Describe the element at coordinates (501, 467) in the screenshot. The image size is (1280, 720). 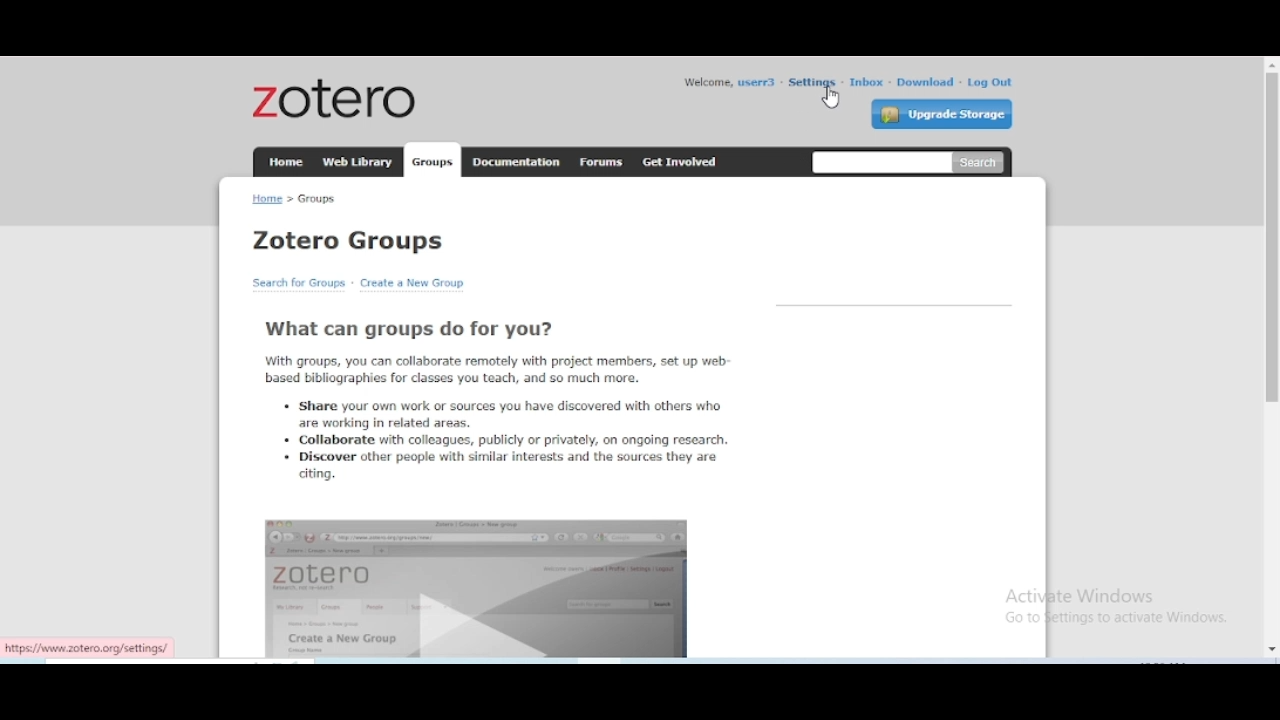
I see `+ Discover other people with similar interests and the sources they are citing.` at that location.